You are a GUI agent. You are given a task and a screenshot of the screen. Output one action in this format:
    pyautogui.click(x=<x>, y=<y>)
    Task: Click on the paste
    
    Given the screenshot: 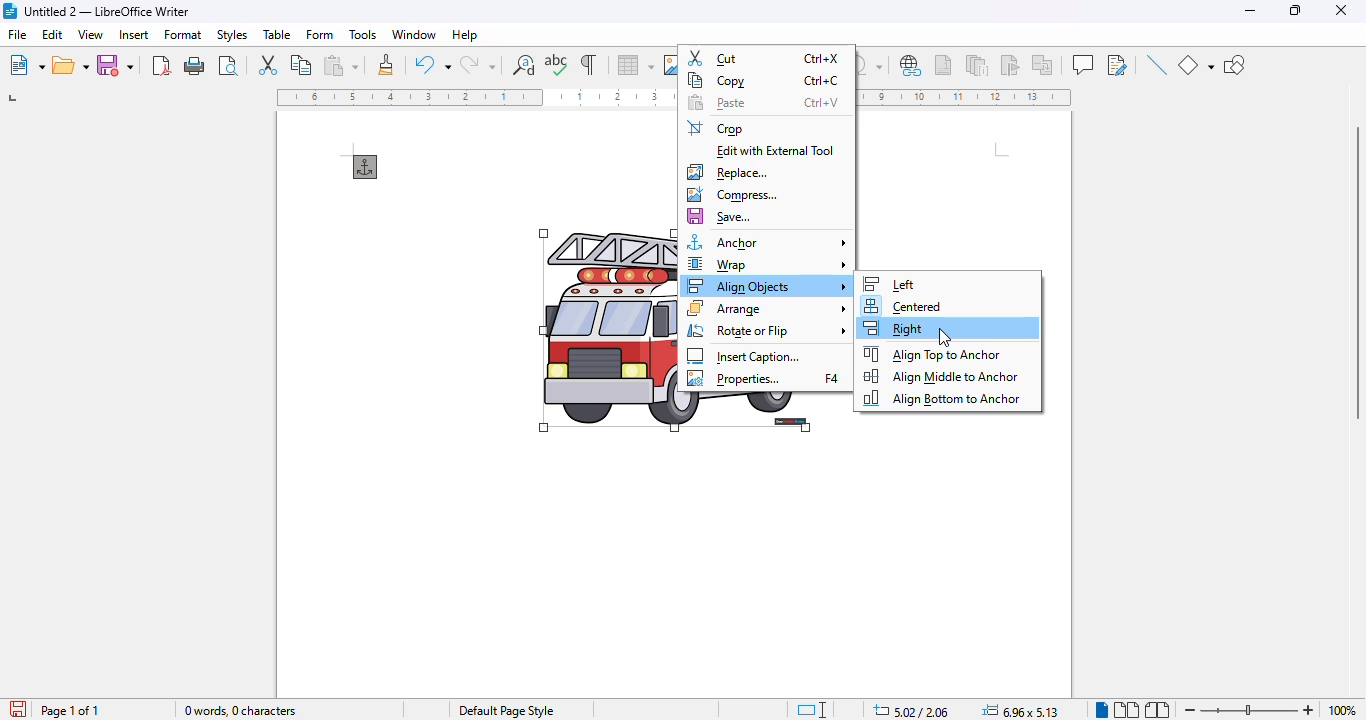 What is the action you would take?
    pyautogui.click(x=341, y=65)
    